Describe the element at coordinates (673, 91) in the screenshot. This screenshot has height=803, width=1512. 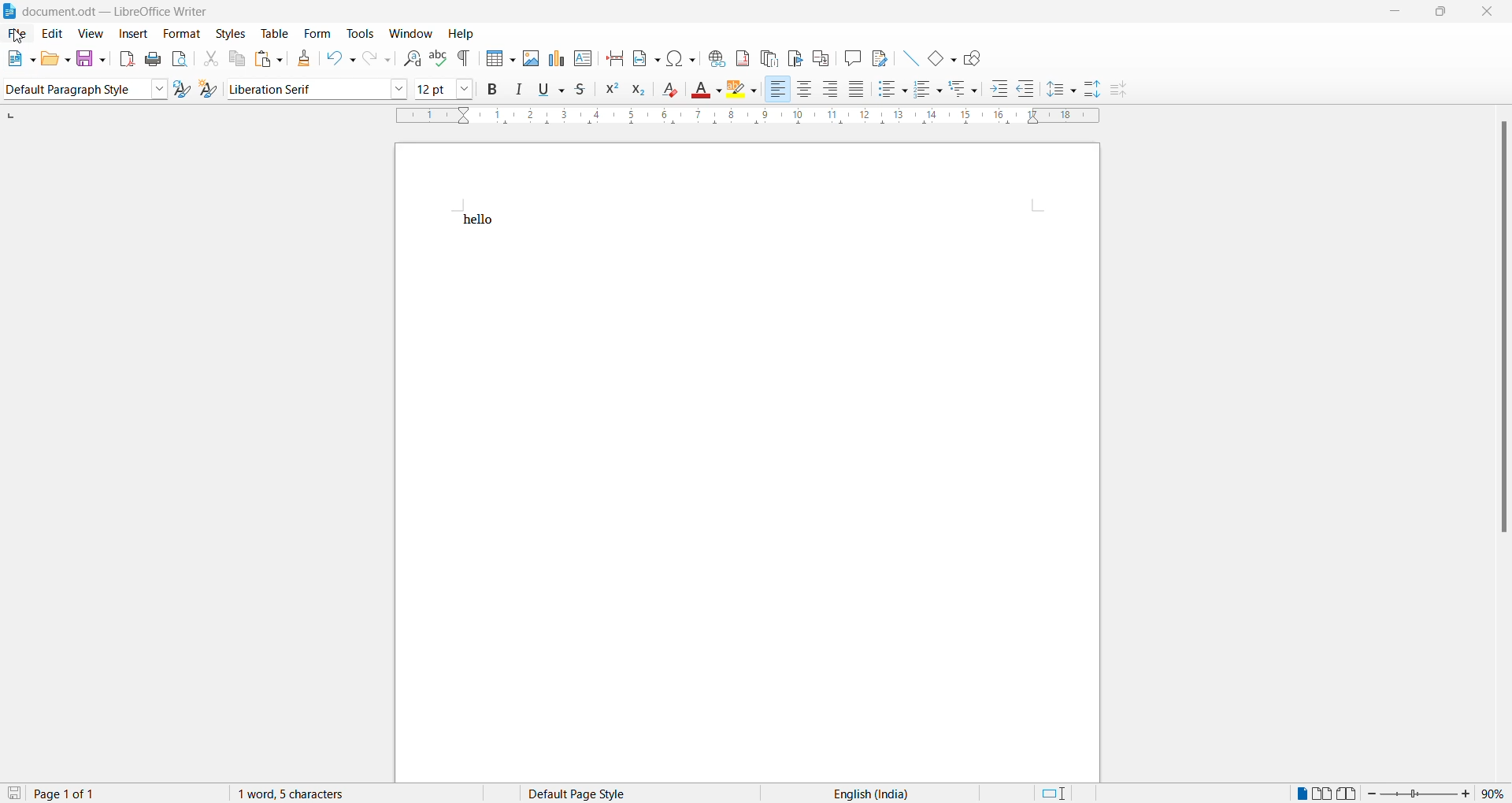
I see `Clear direct formatting` at that location.